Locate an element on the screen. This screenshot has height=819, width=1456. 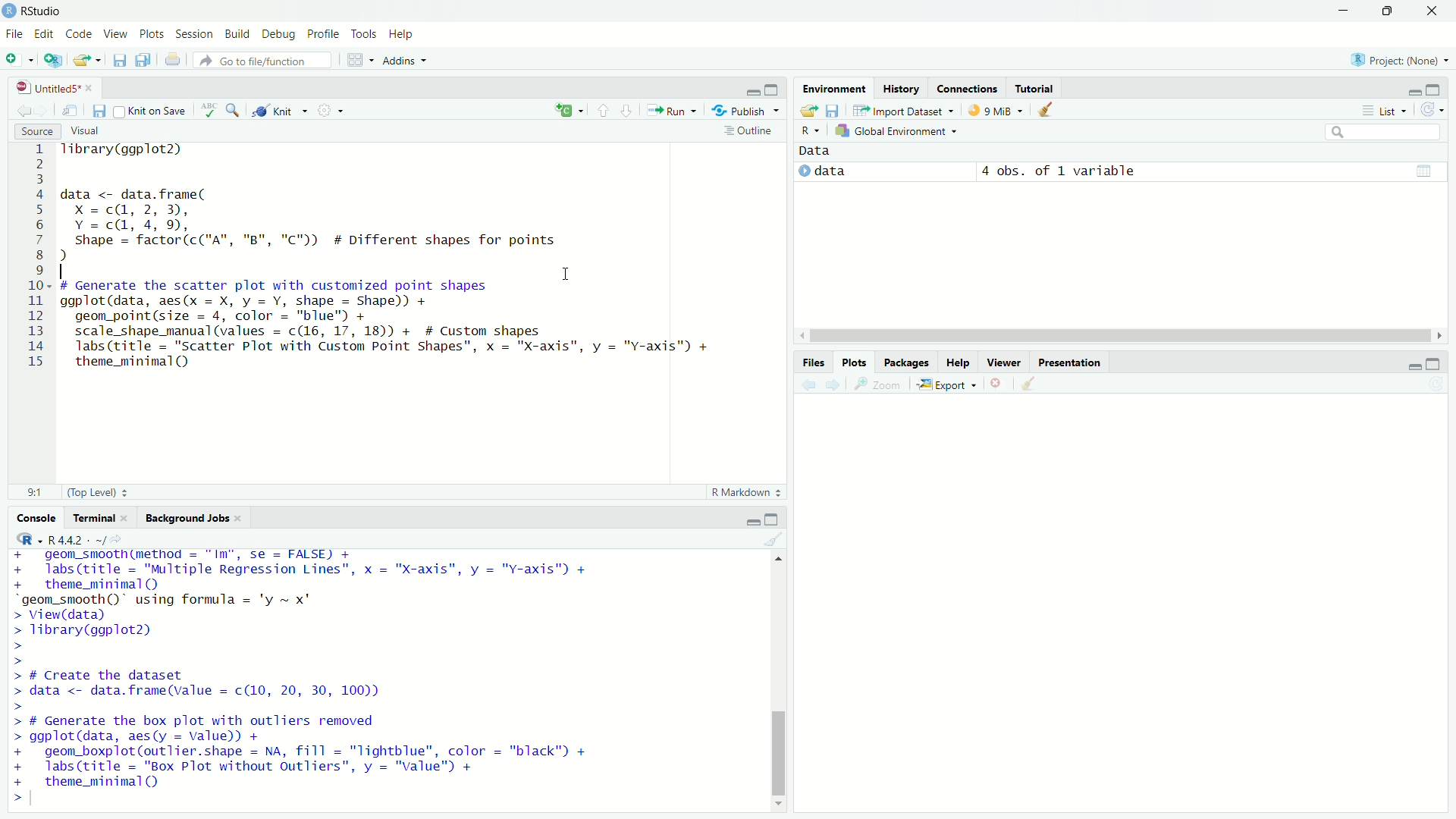
Tutorial is located at coordinates (1034, 87).